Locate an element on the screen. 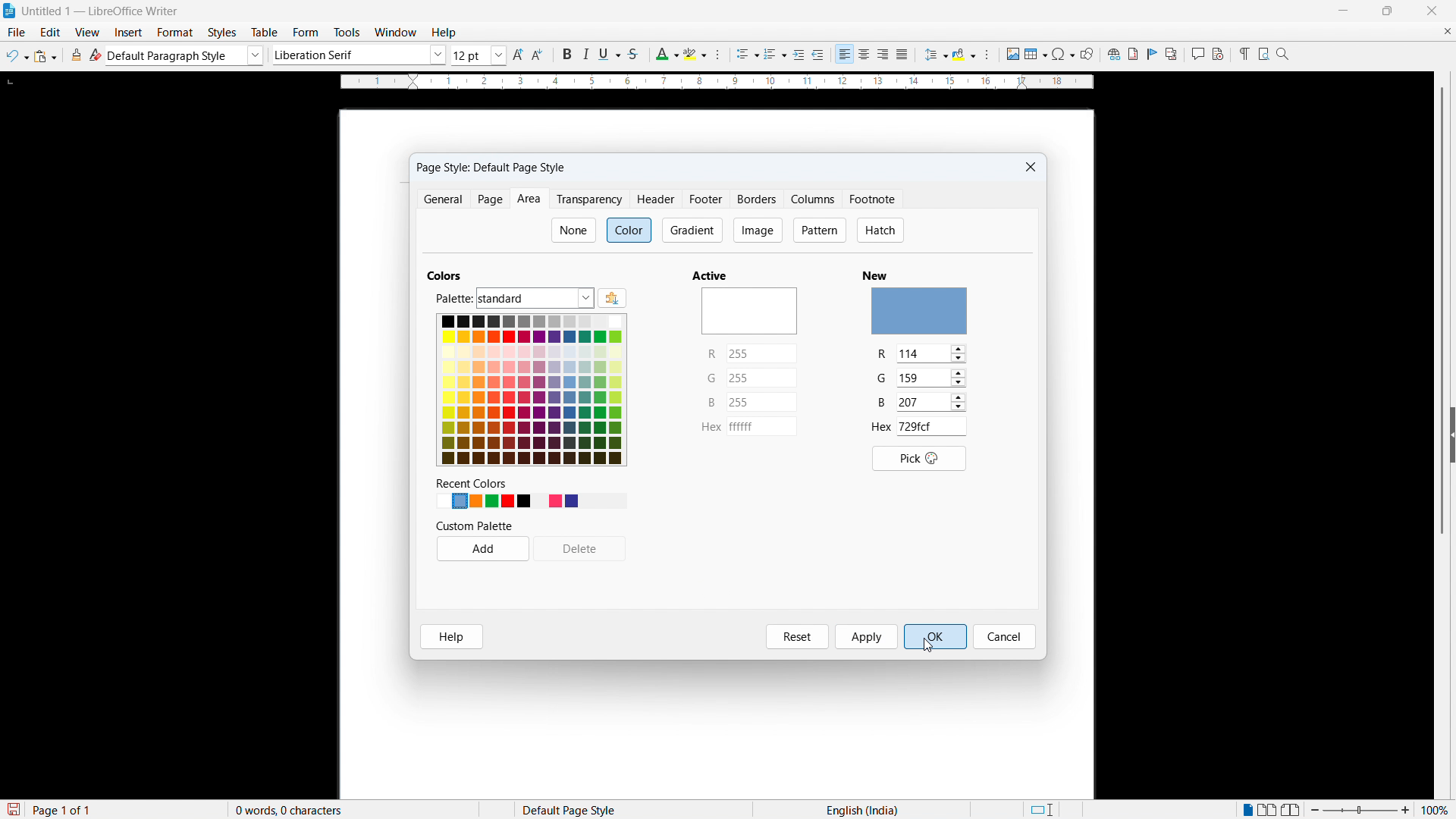  Zoom percentage  is located at coordinates (1437, 809).